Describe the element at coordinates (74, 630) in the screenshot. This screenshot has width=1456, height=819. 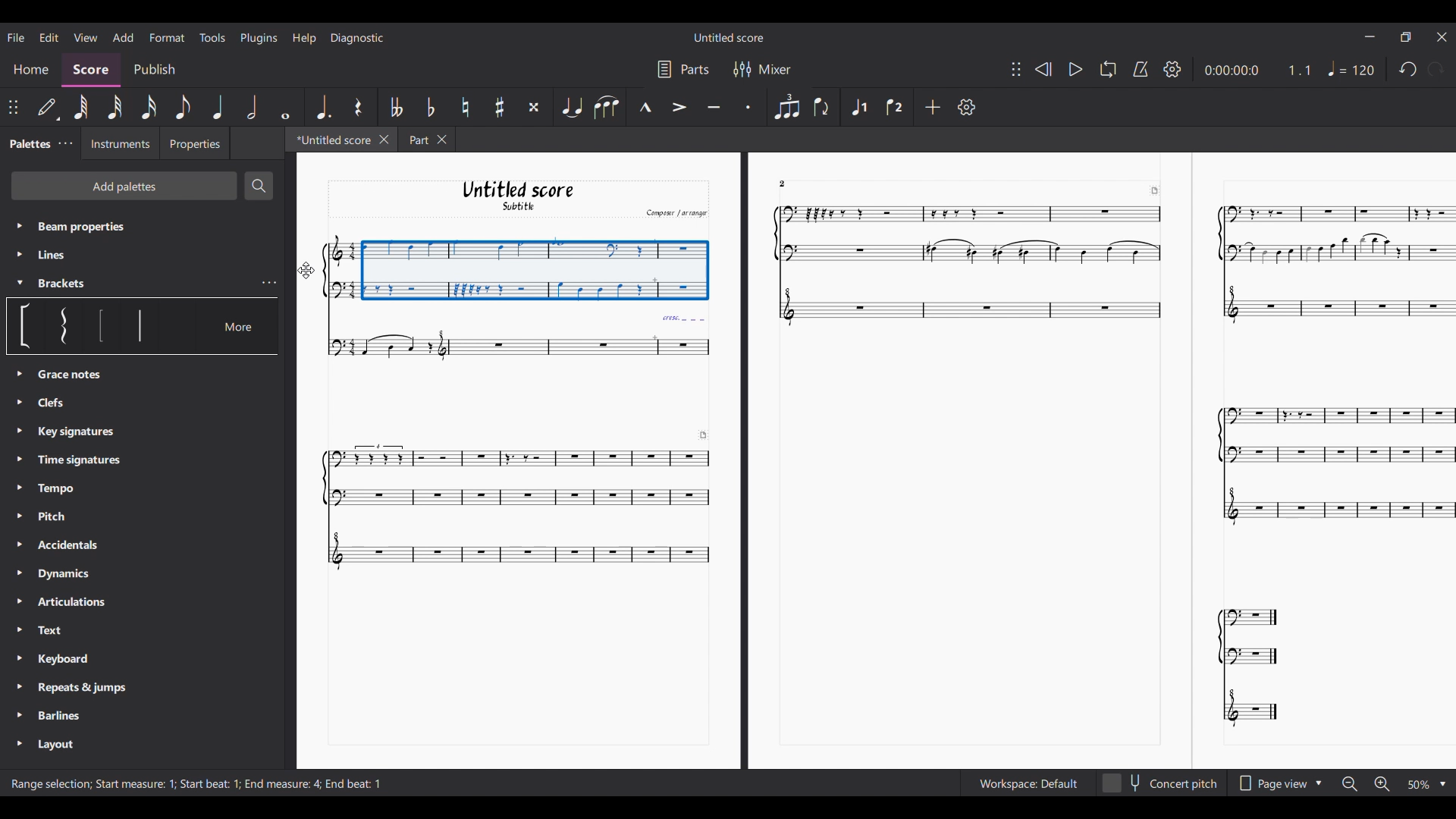
I see `Text` at that location.